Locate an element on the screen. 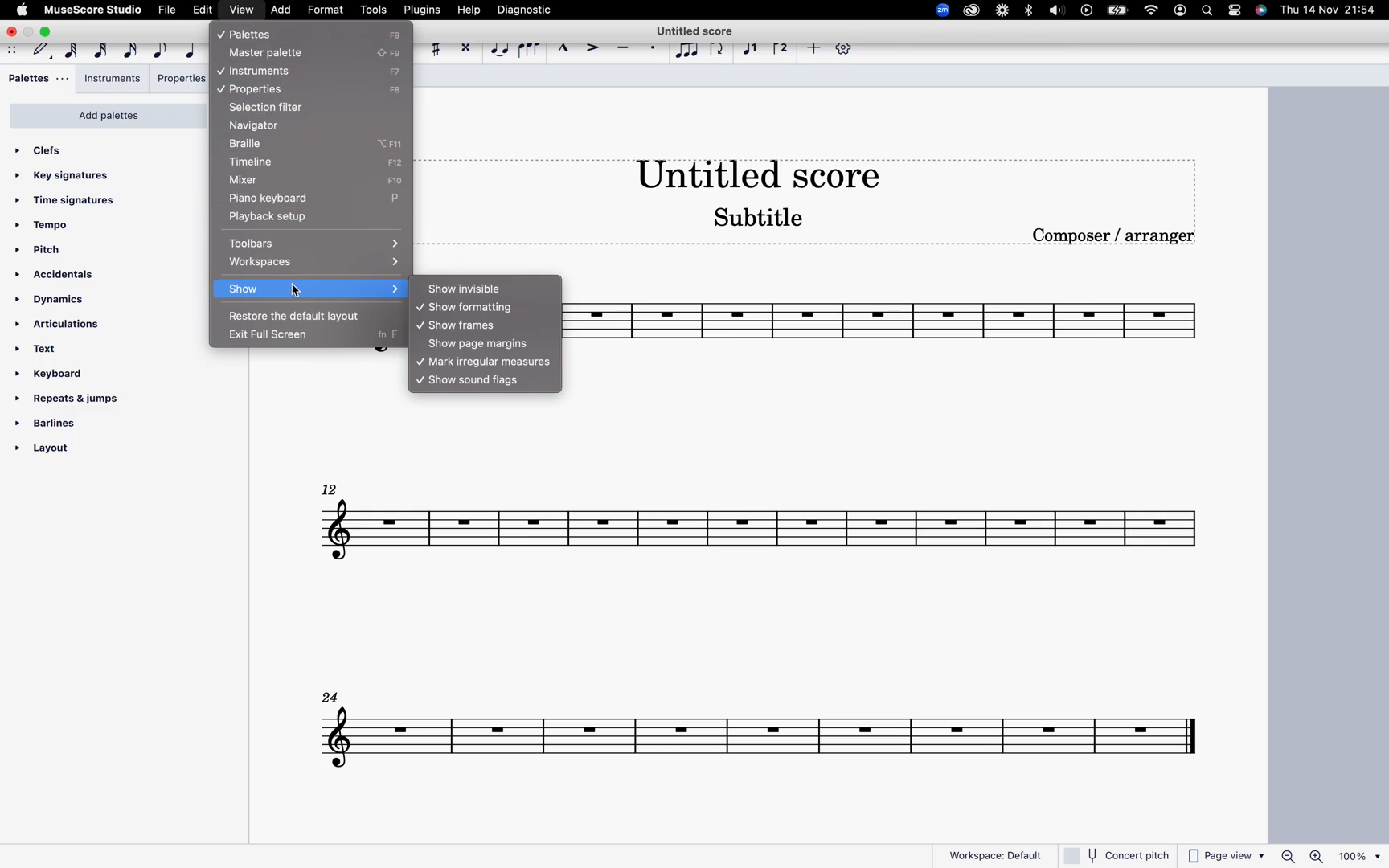 The height and width of the screenshot is (868, 1389). instruments is located at coordinates (257, 72).